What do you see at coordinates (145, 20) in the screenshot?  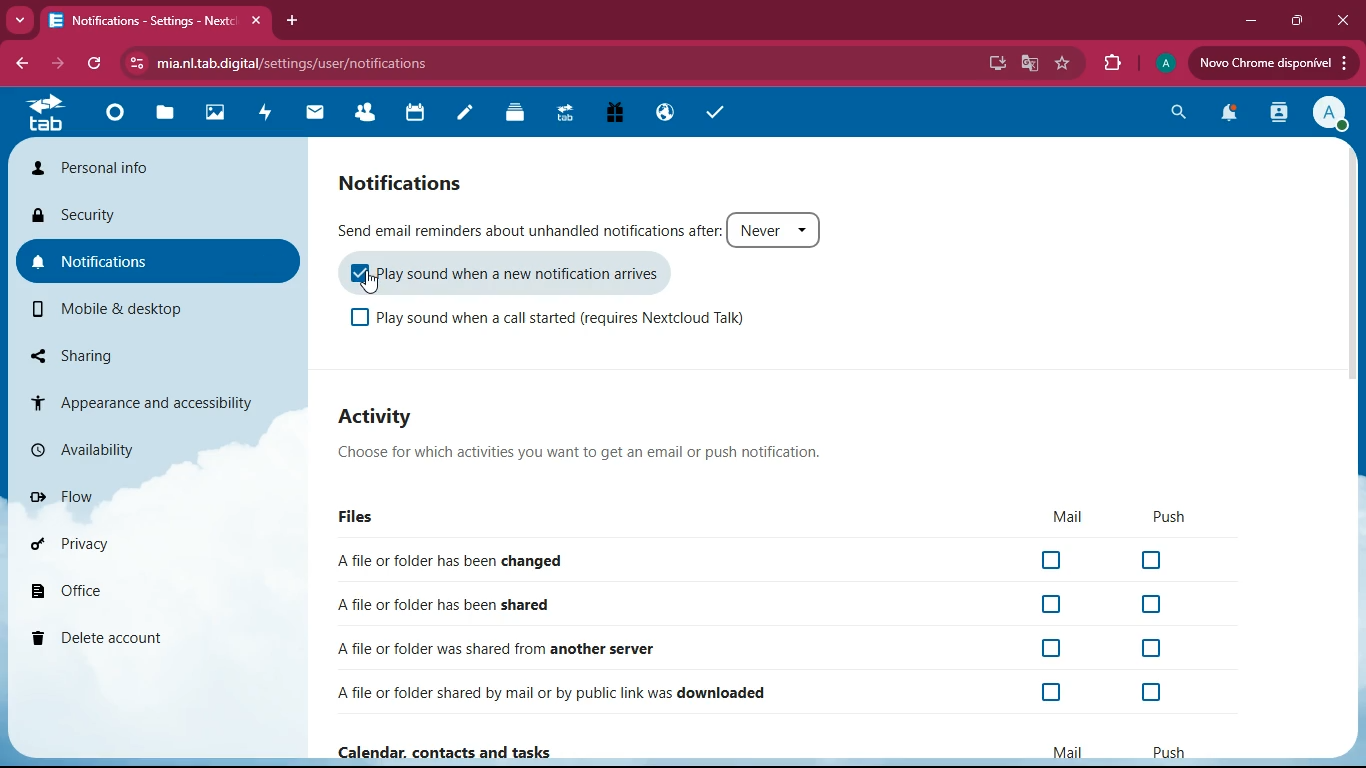 I see `tab` at bounding box center [145, 20].